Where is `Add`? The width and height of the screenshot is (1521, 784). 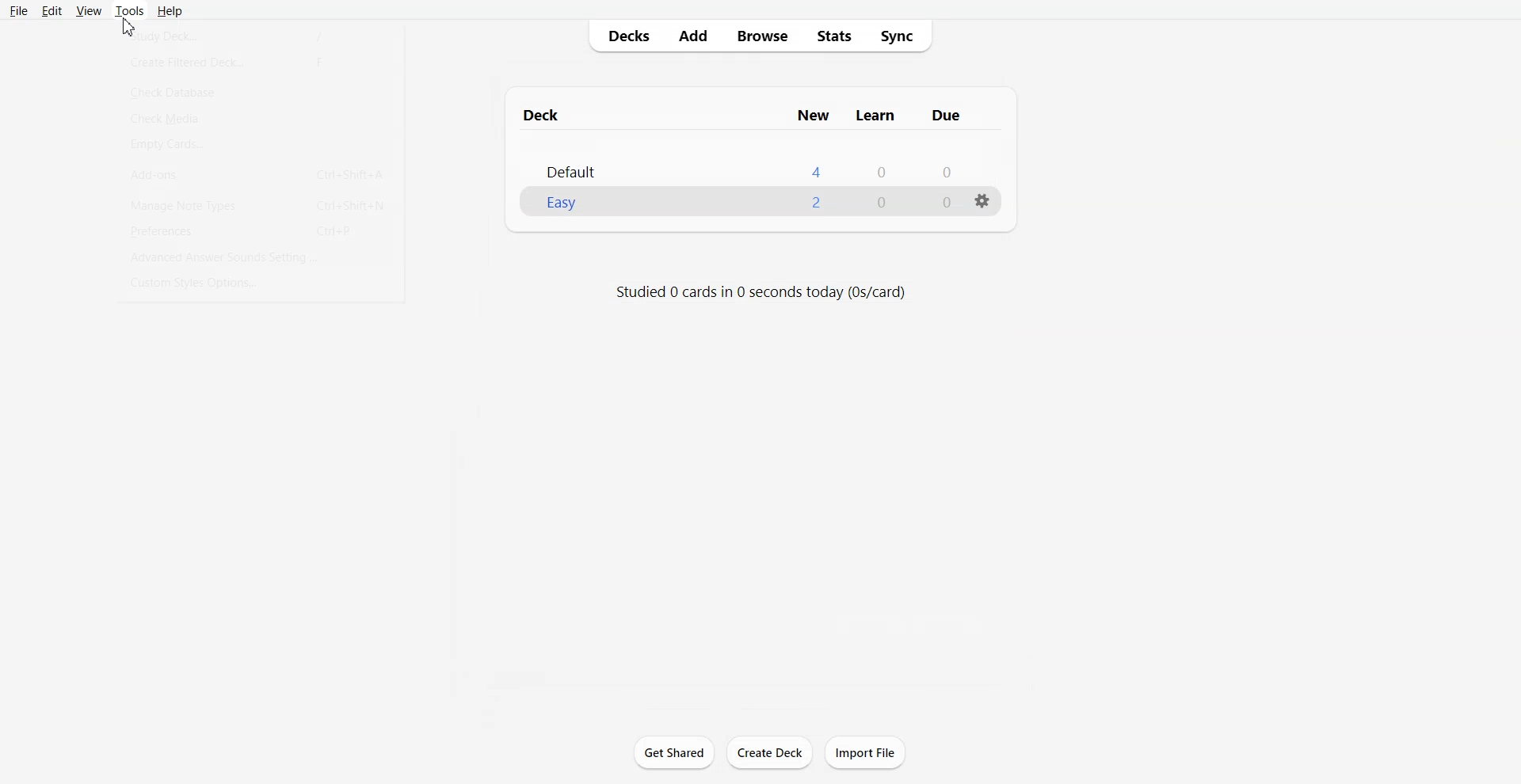 Add is located at coordinates (692, 36).